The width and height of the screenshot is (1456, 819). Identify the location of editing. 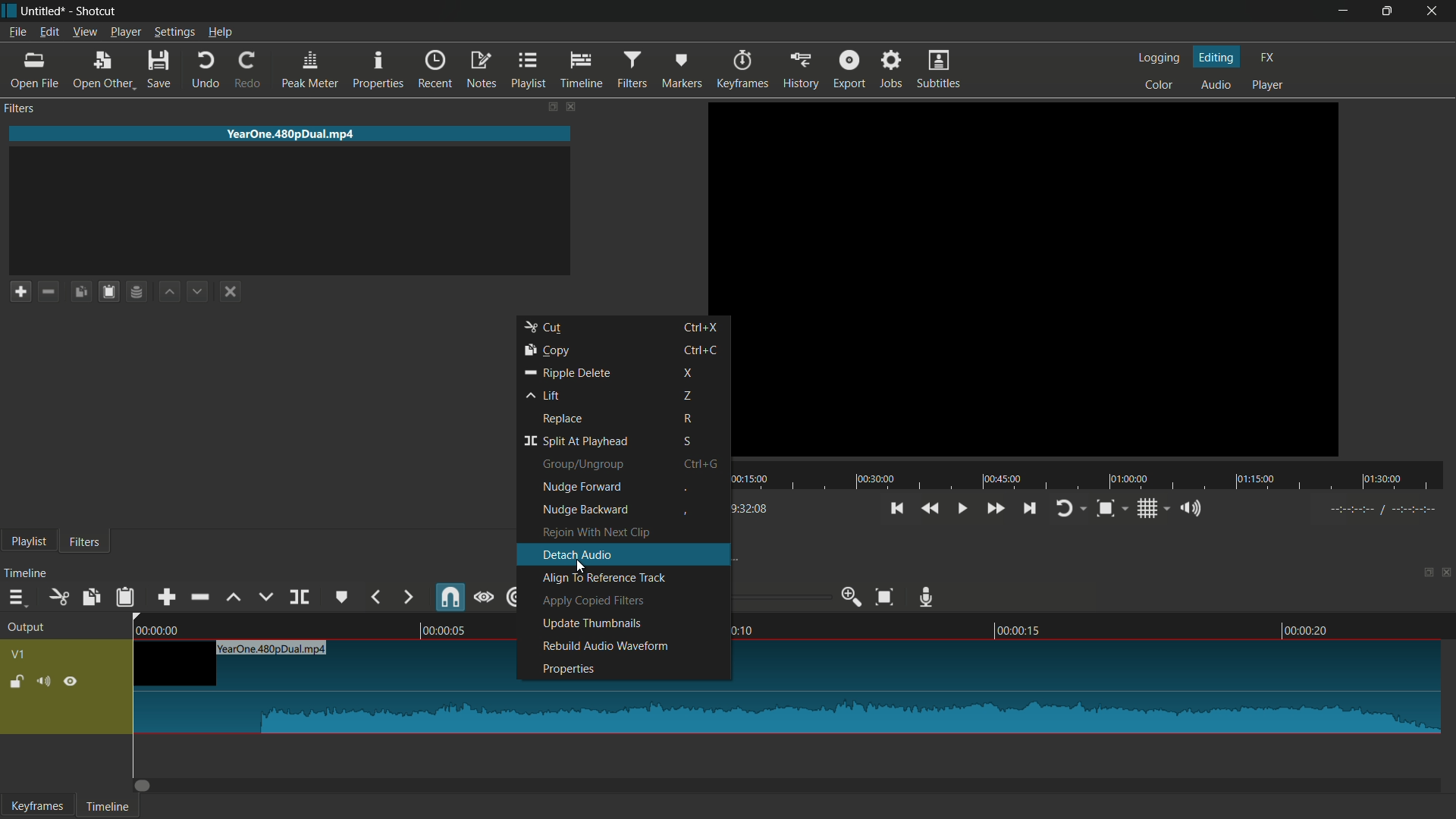
(1216, 55).